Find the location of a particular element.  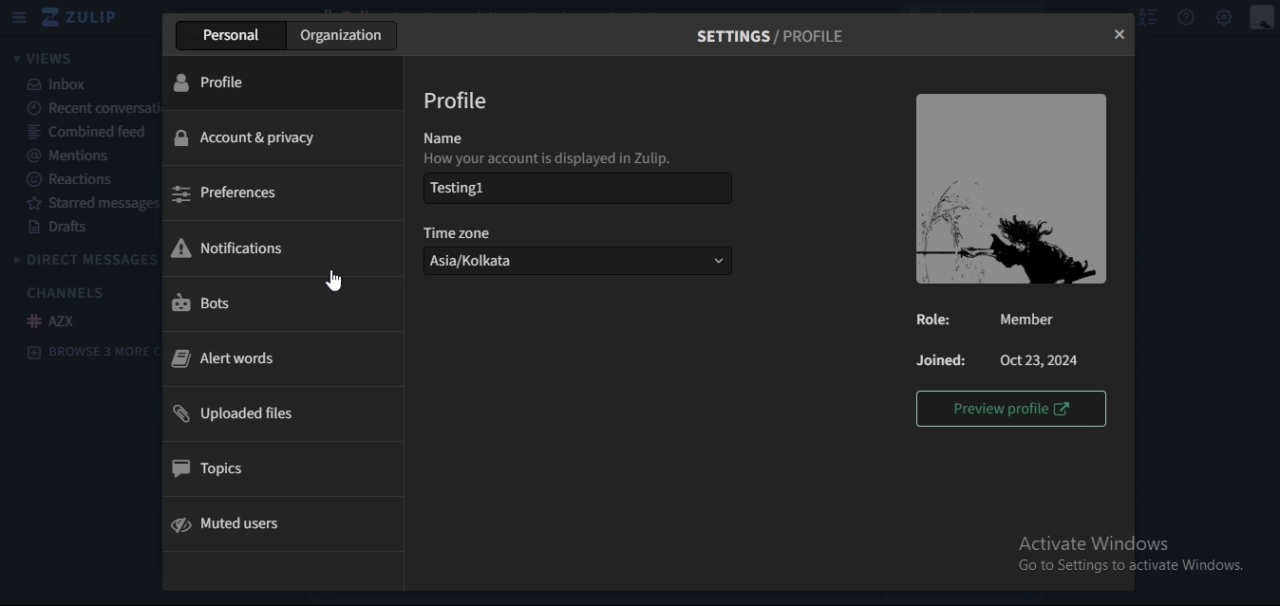

recent conversation is located at coordinates (90, 106).